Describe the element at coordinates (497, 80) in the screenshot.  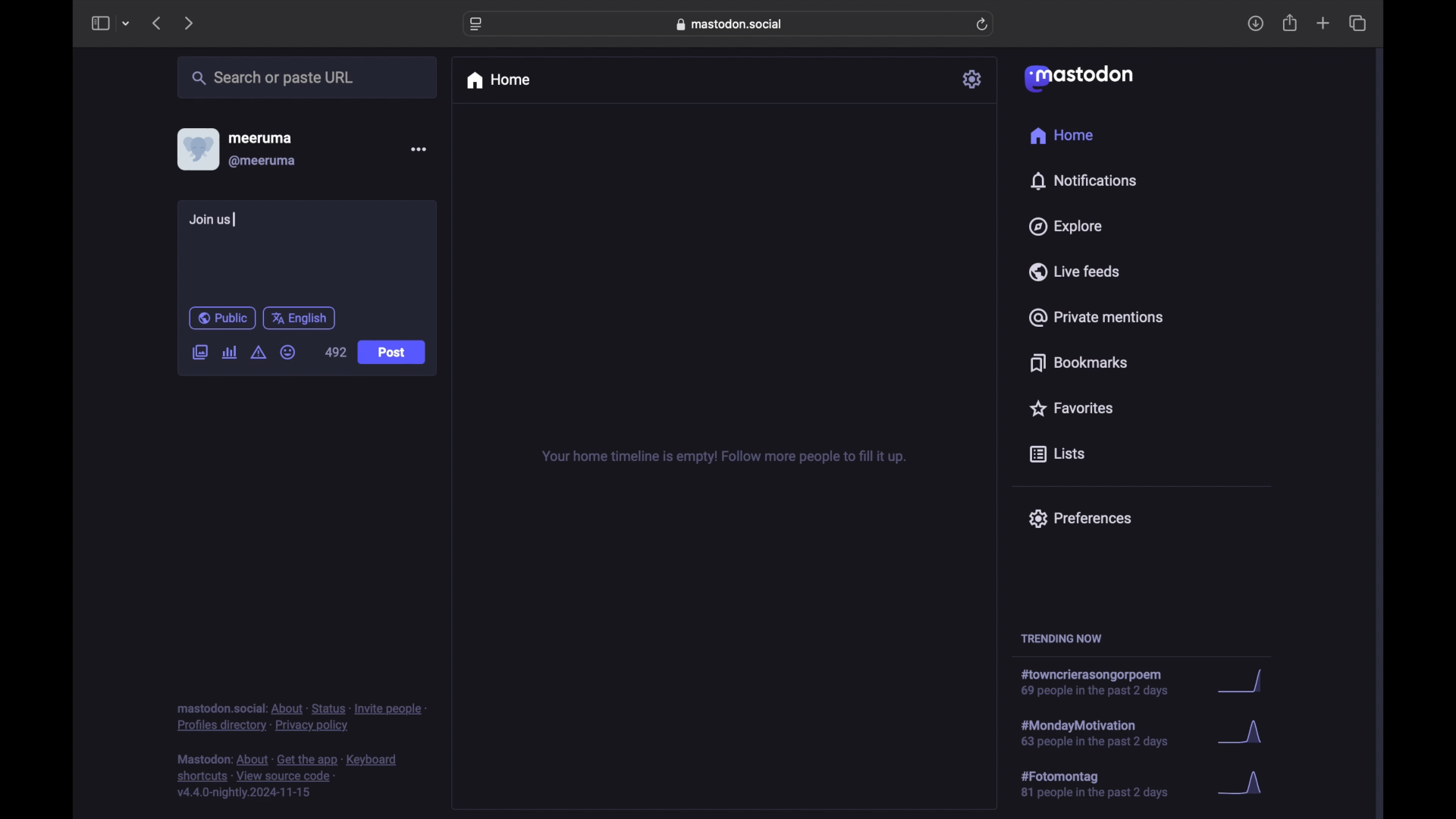
I see `home` at that location.